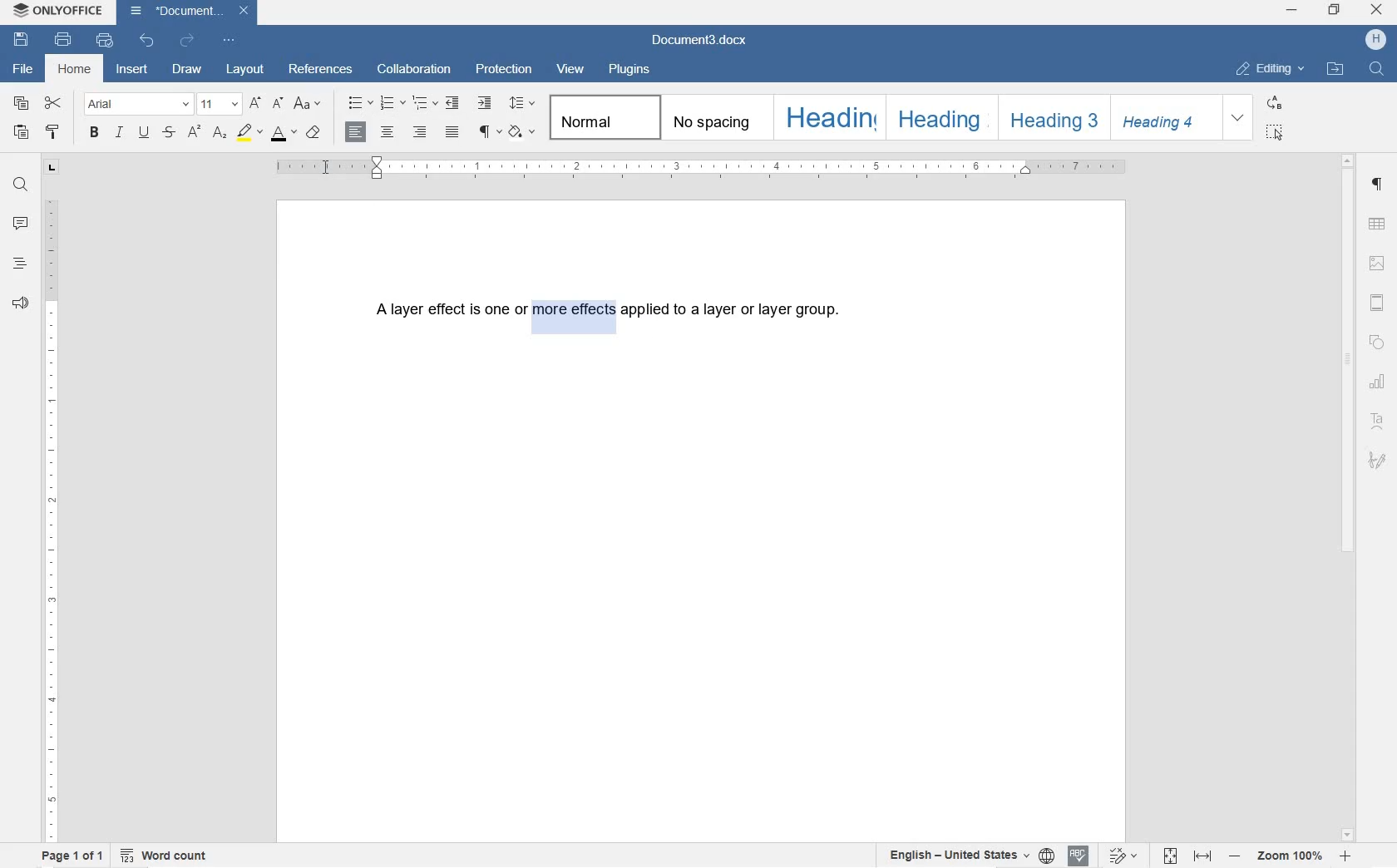 Image resolution: width=1397 pixels, height=868 pixels. What do you see at coordinates (712, 117) in the screenshot?
I see `NO SPACING` at bounding box center [712, 117].